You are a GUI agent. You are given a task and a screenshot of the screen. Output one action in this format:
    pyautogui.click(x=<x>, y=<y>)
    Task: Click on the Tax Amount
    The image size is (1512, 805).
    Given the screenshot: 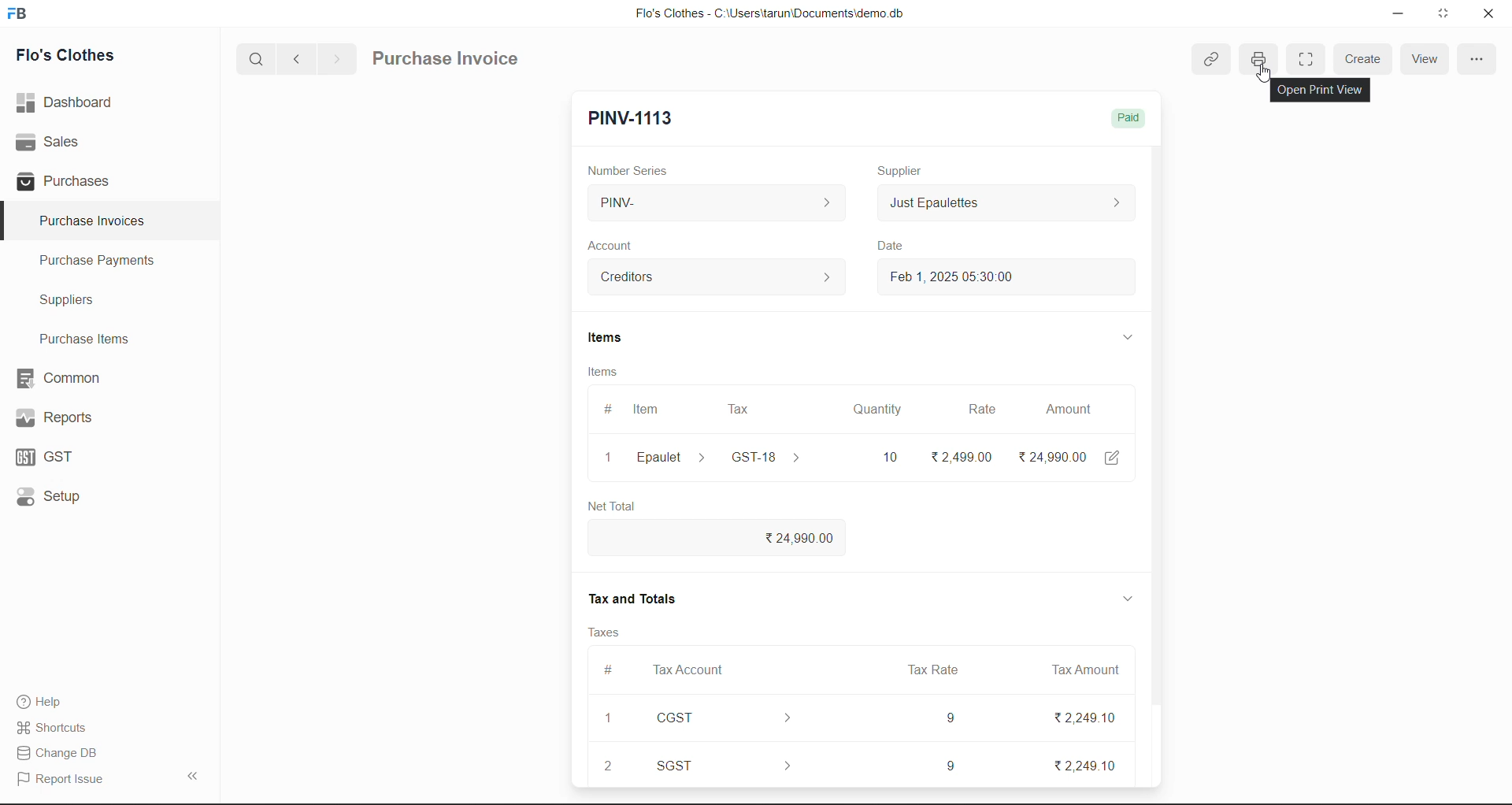 What is the action you would take?
    pyautogui.click(x=1085, y=674)
    